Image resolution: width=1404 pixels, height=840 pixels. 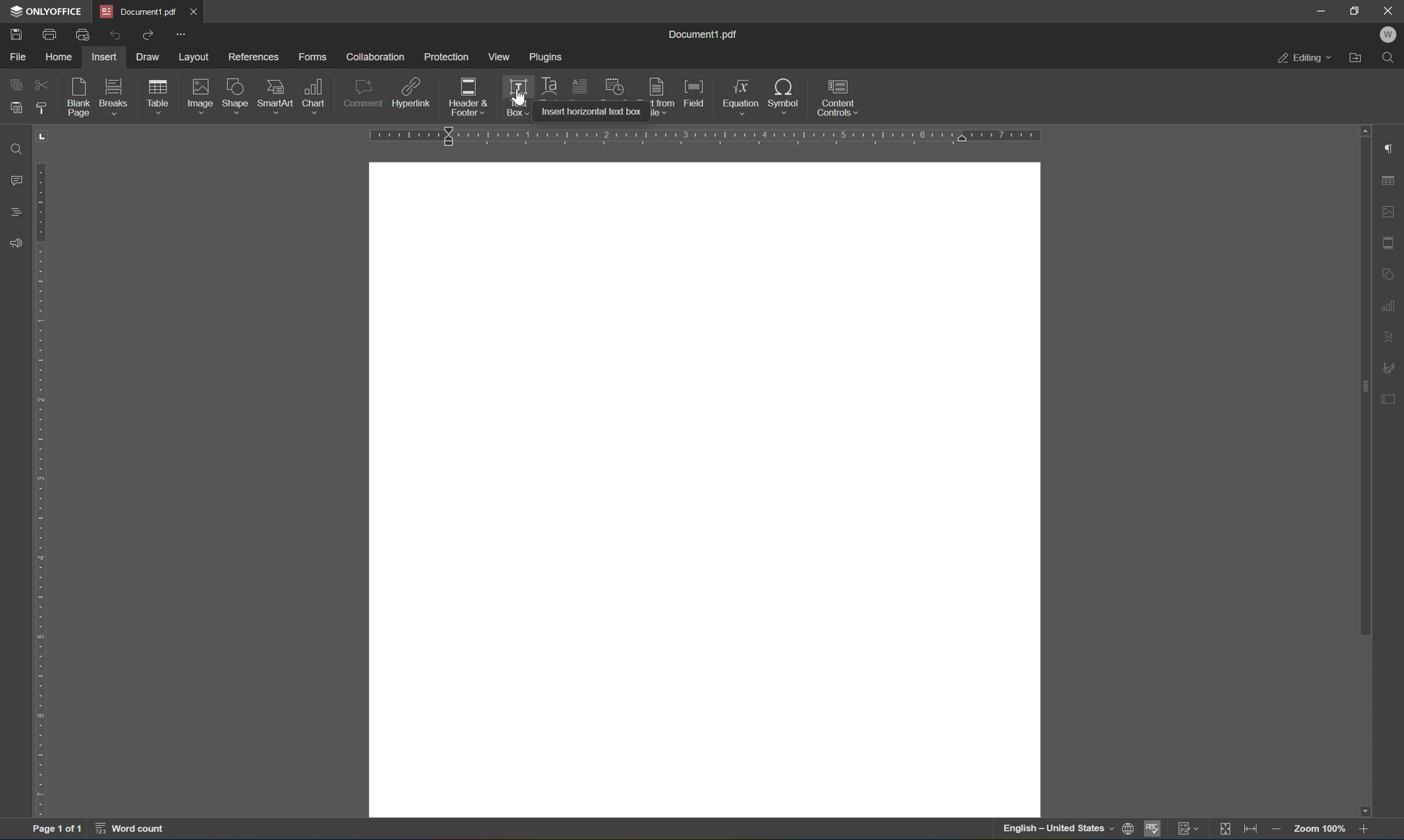 What do you see at coordinates (446, 56) in the screenshot?
I see `protection` at bounding box center [446, 56].